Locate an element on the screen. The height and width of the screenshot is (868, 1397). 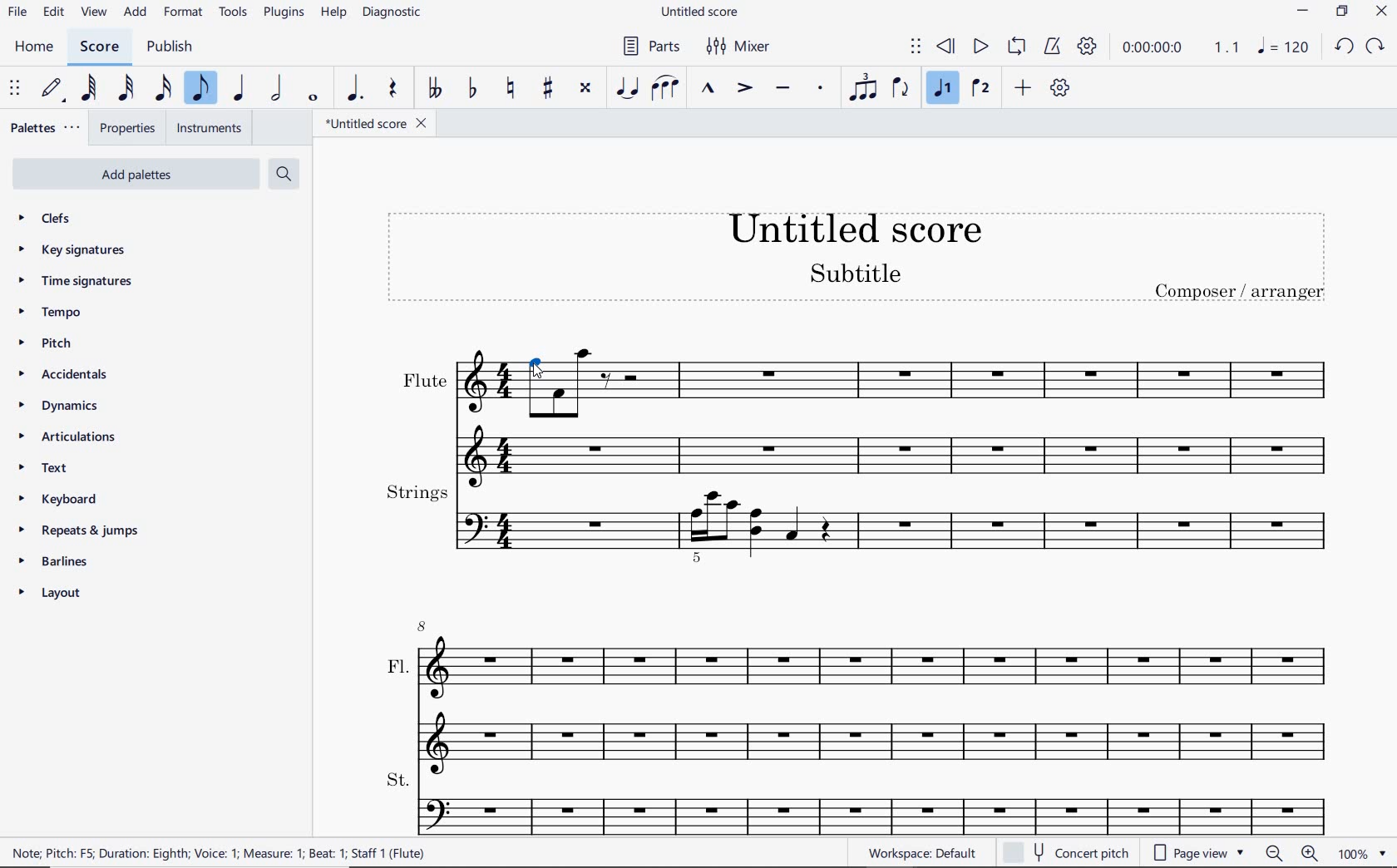
PARTS is located at coordinates (650, 47).